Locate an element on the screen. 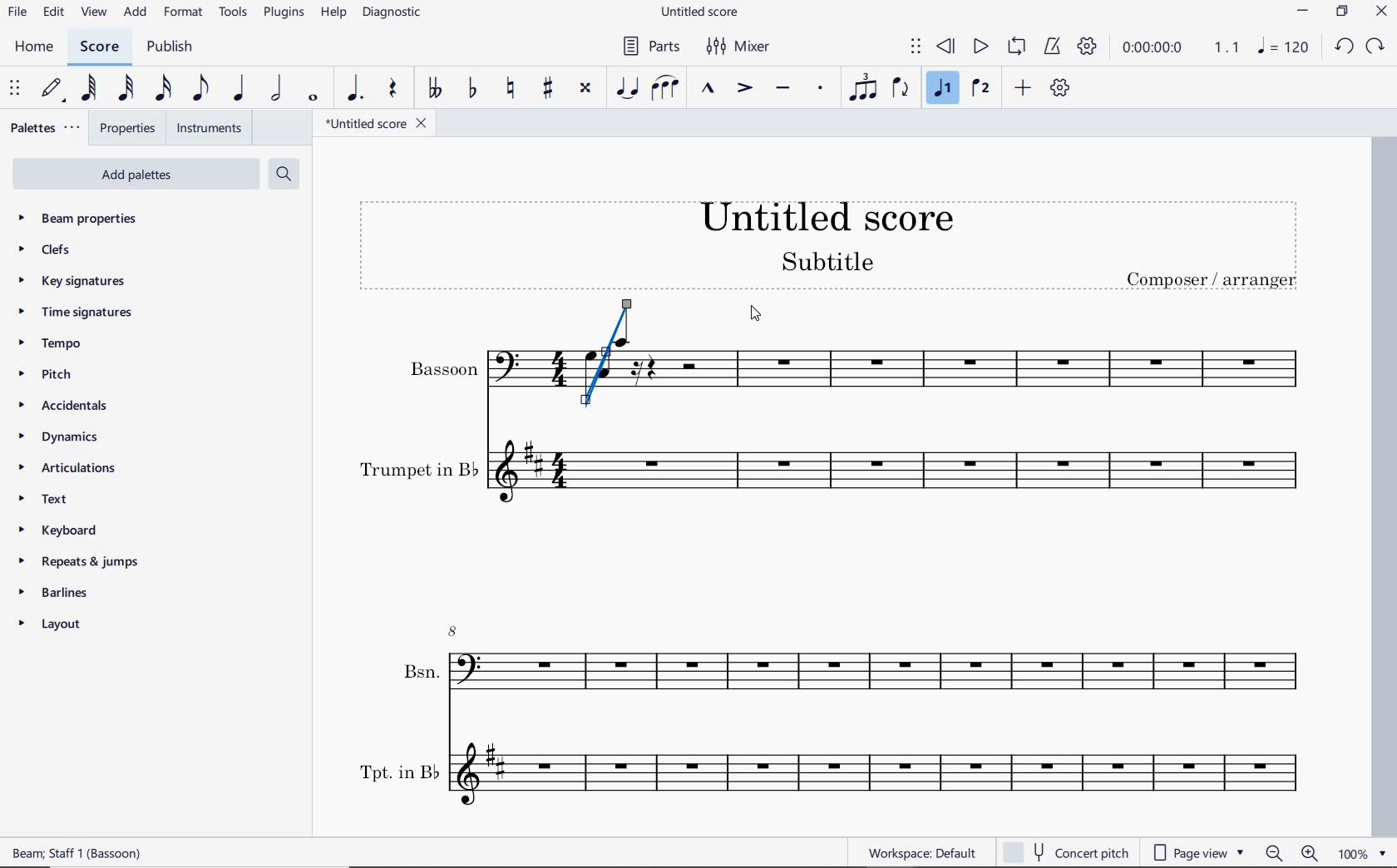 Image resolution: width=1397 pixels, height=868 pixels. barlines is located at coordinates (55, 594).